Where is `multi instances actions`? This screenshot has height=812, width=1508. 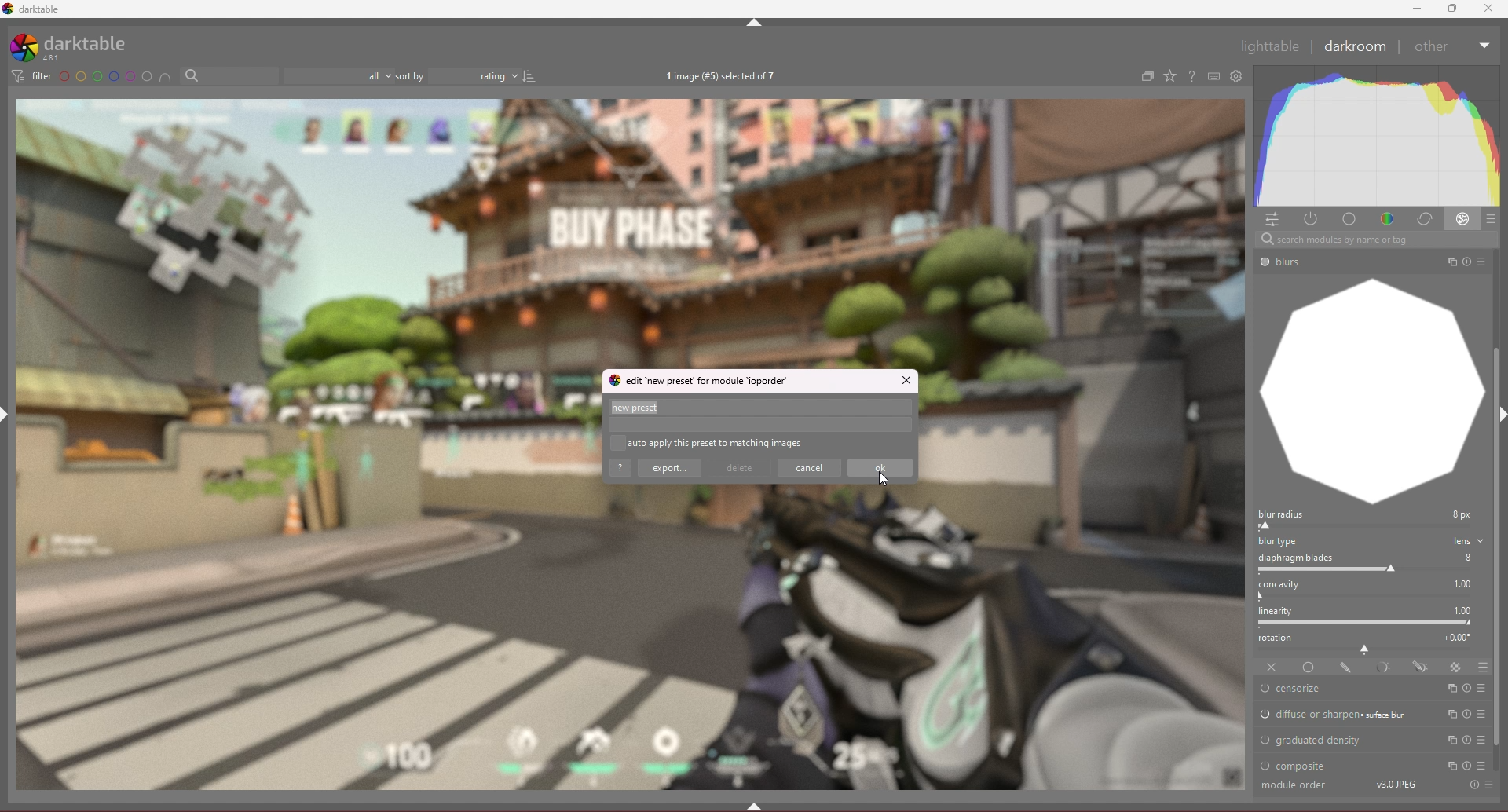 multi instances actions is located at coordinates (1449, 715).